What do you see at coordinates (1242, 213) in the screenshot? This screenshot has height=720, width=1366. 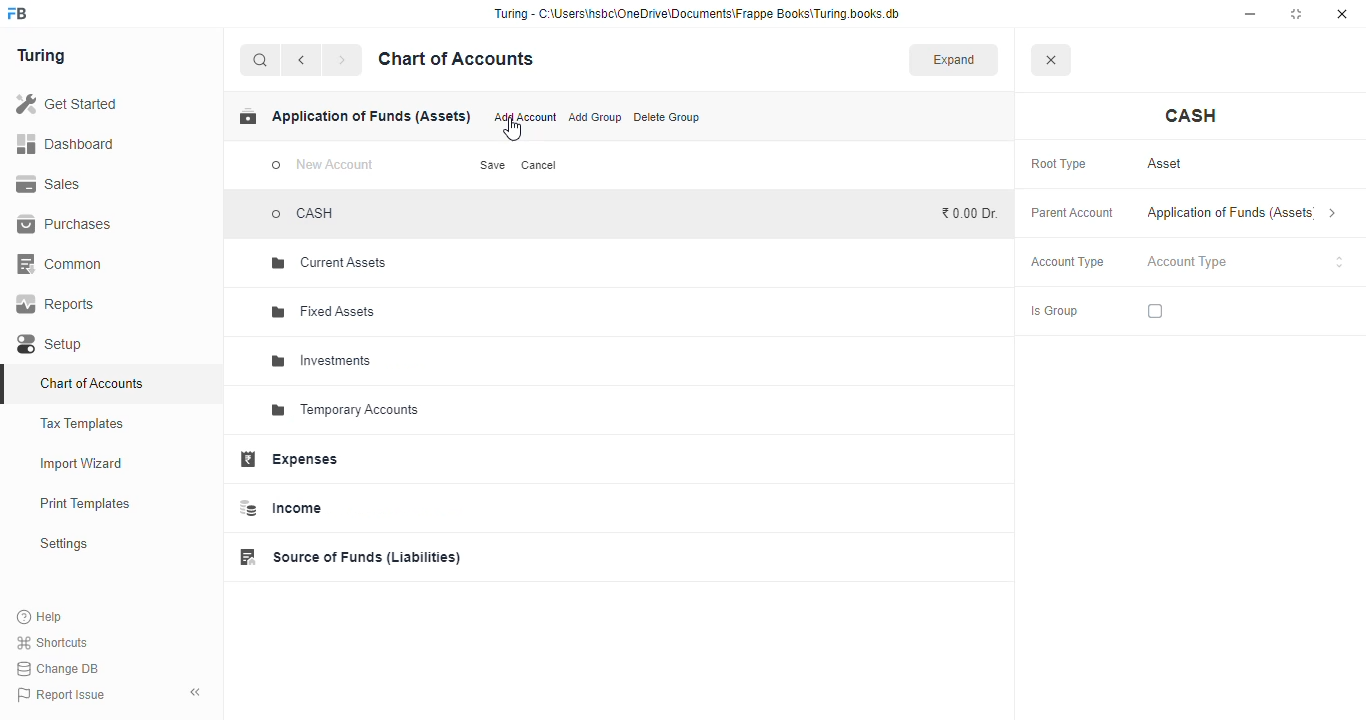 I see `application of funds (assets)` at bounding box center [1242, 213].